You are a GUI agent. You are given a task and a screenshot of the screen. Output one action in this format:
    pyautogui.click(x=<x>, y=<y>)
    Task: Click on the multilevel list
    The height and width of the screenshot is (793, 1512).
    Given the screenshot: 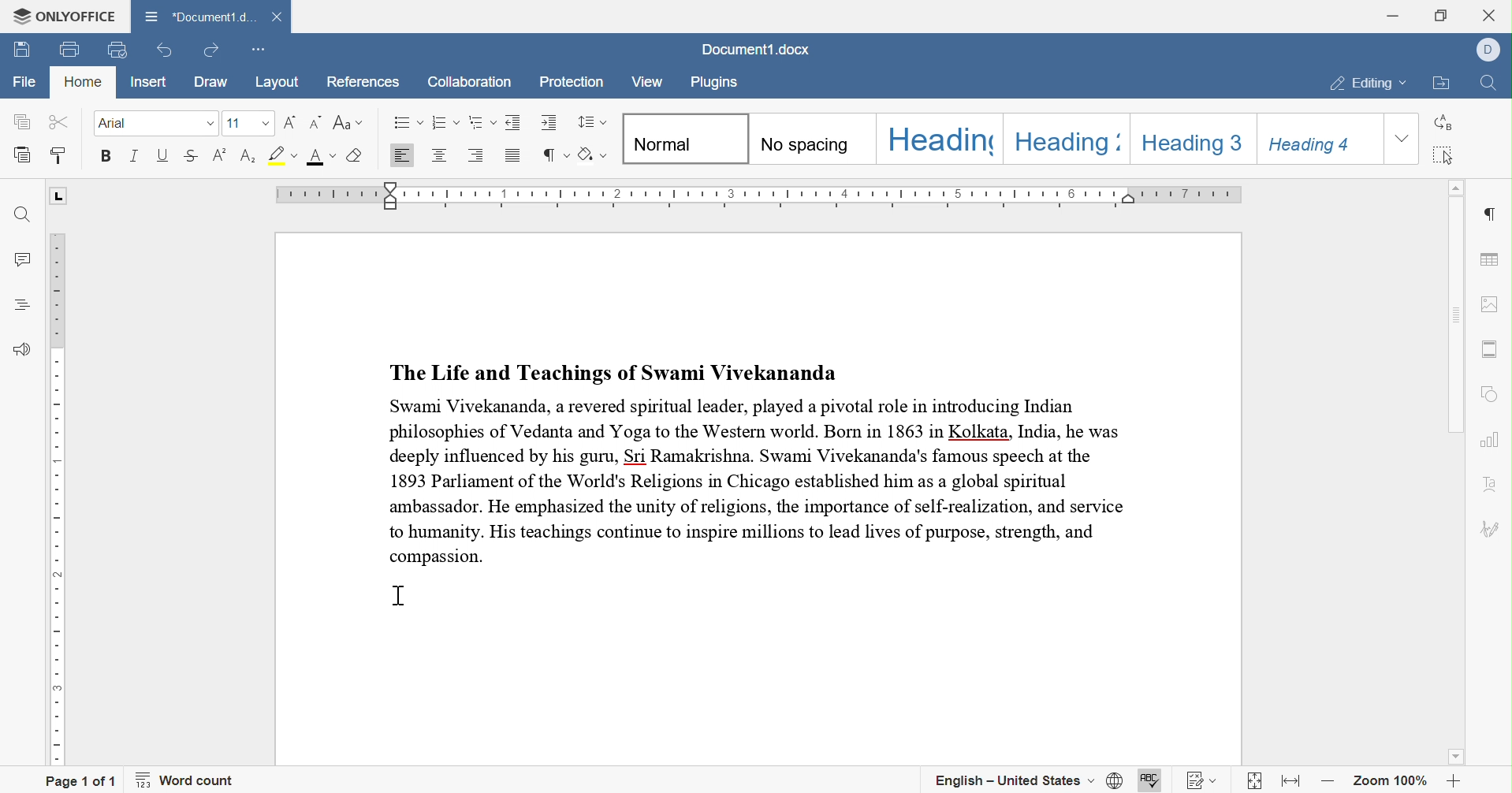 What is the action you would take?
    pyautogui.click(x=482, y=122)
    